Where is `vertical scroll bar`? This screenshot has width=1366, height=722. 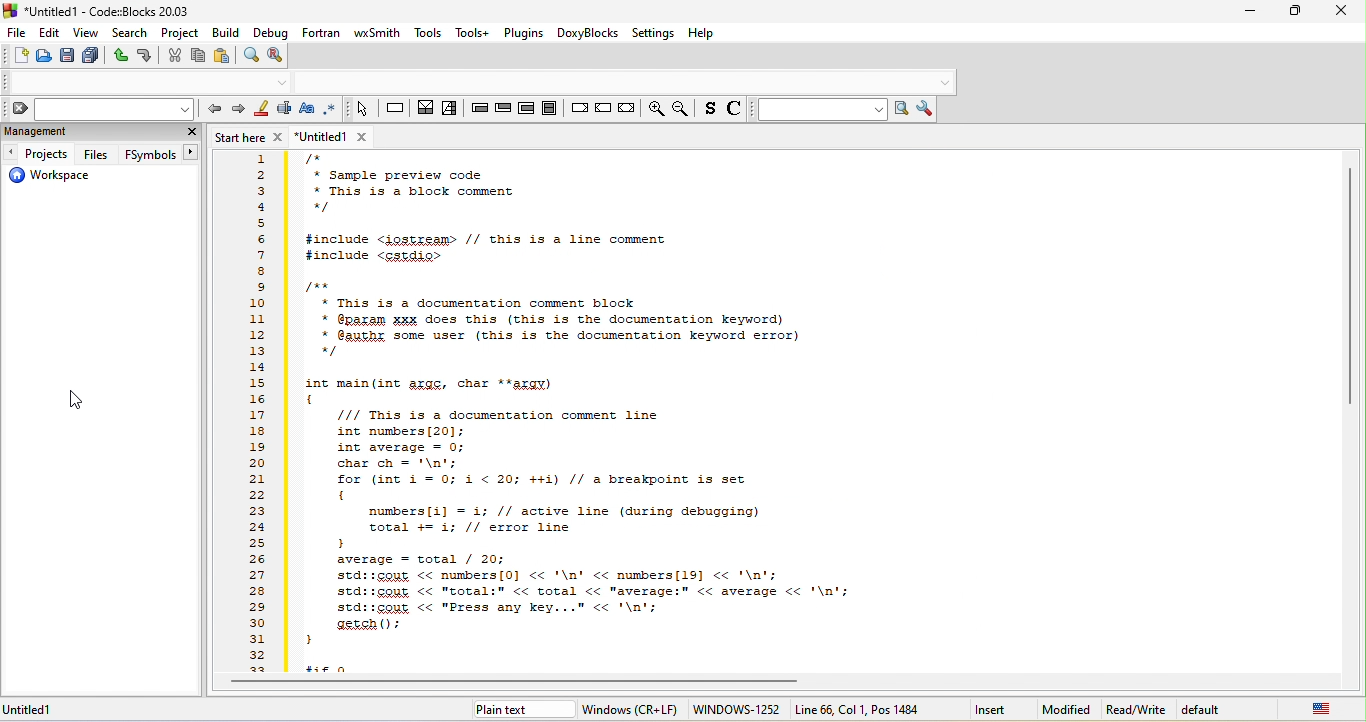
vertical scroll bar is located at coordinates (1350, 285).